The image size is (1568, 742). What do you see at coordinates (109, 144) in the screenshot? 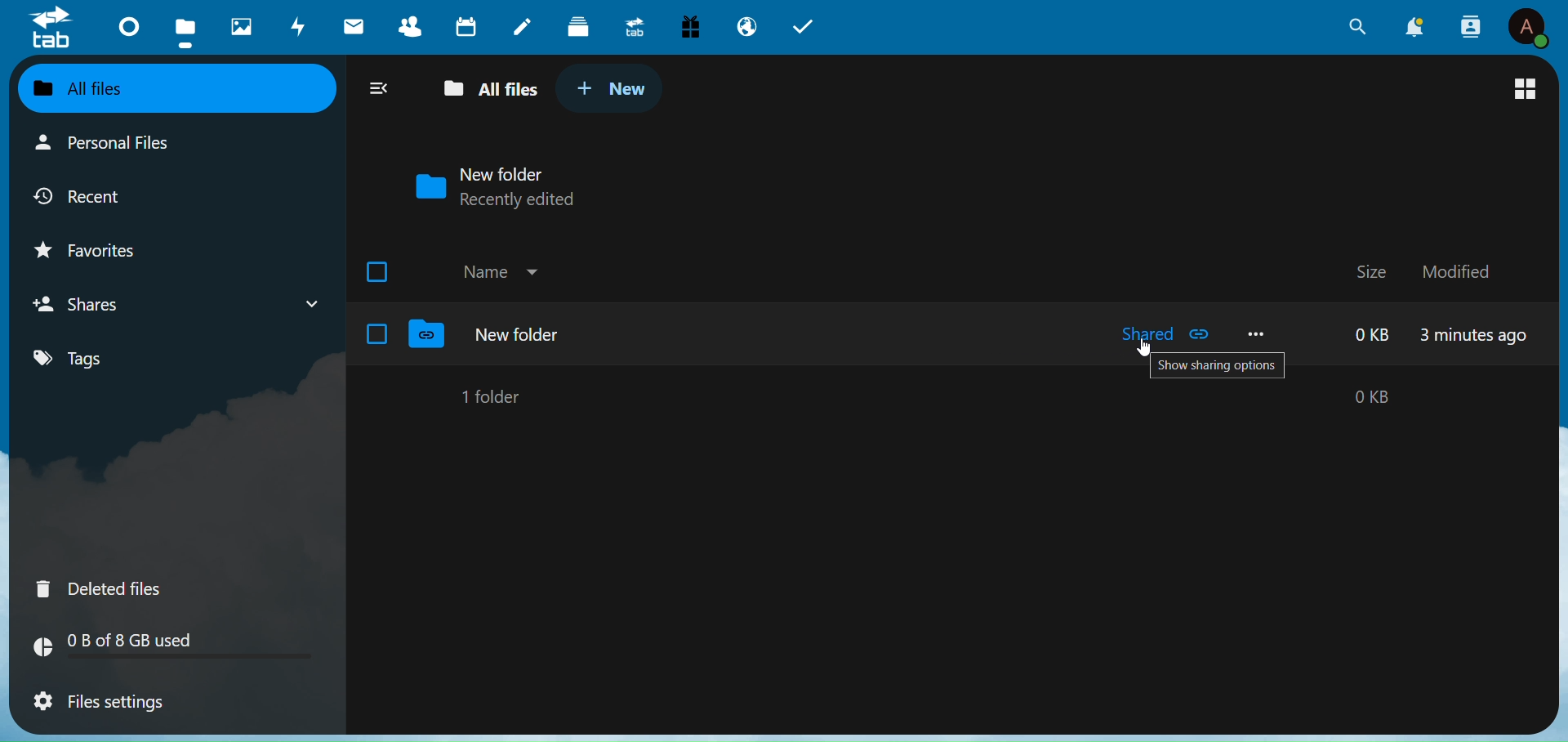
I see `Personal Files` at bounding box center [109, 144].